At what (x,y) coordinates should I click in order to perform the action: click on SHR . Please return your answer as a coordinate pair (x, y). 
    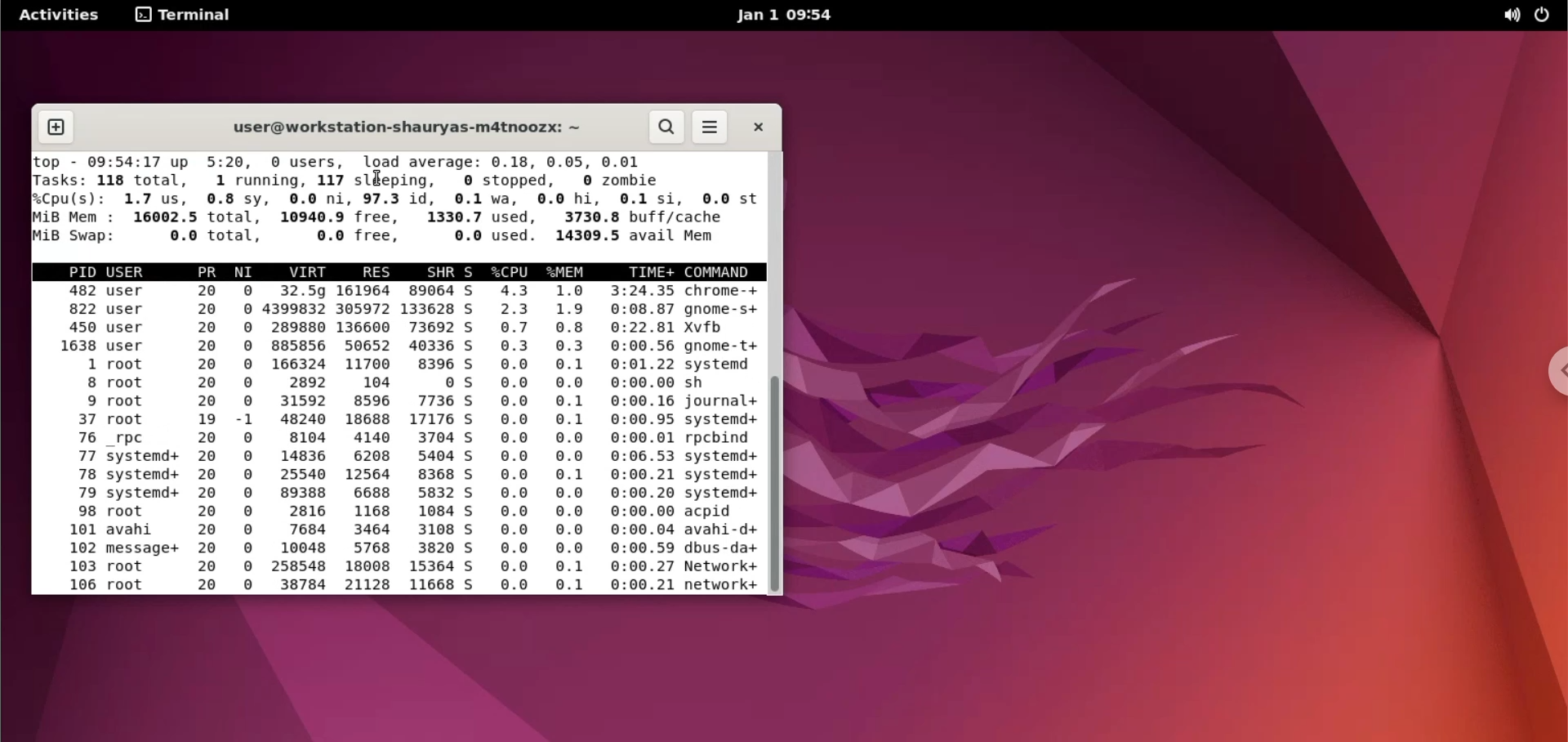
    Looking at the image, I should click on (439, 273).